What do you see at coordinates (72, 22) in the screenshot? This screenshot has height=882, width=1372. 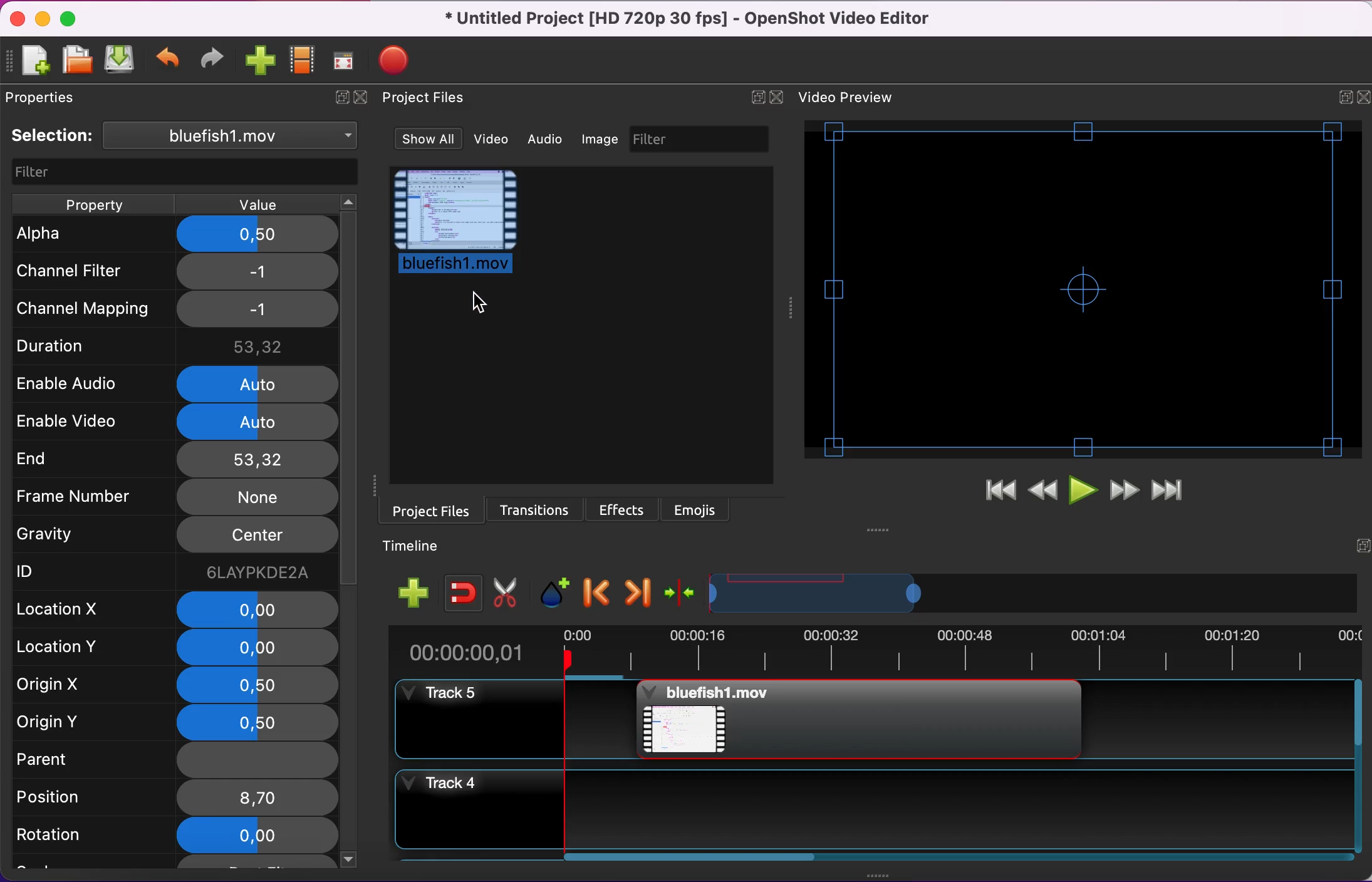 I see `maximize` at bounding box center [72, 22].